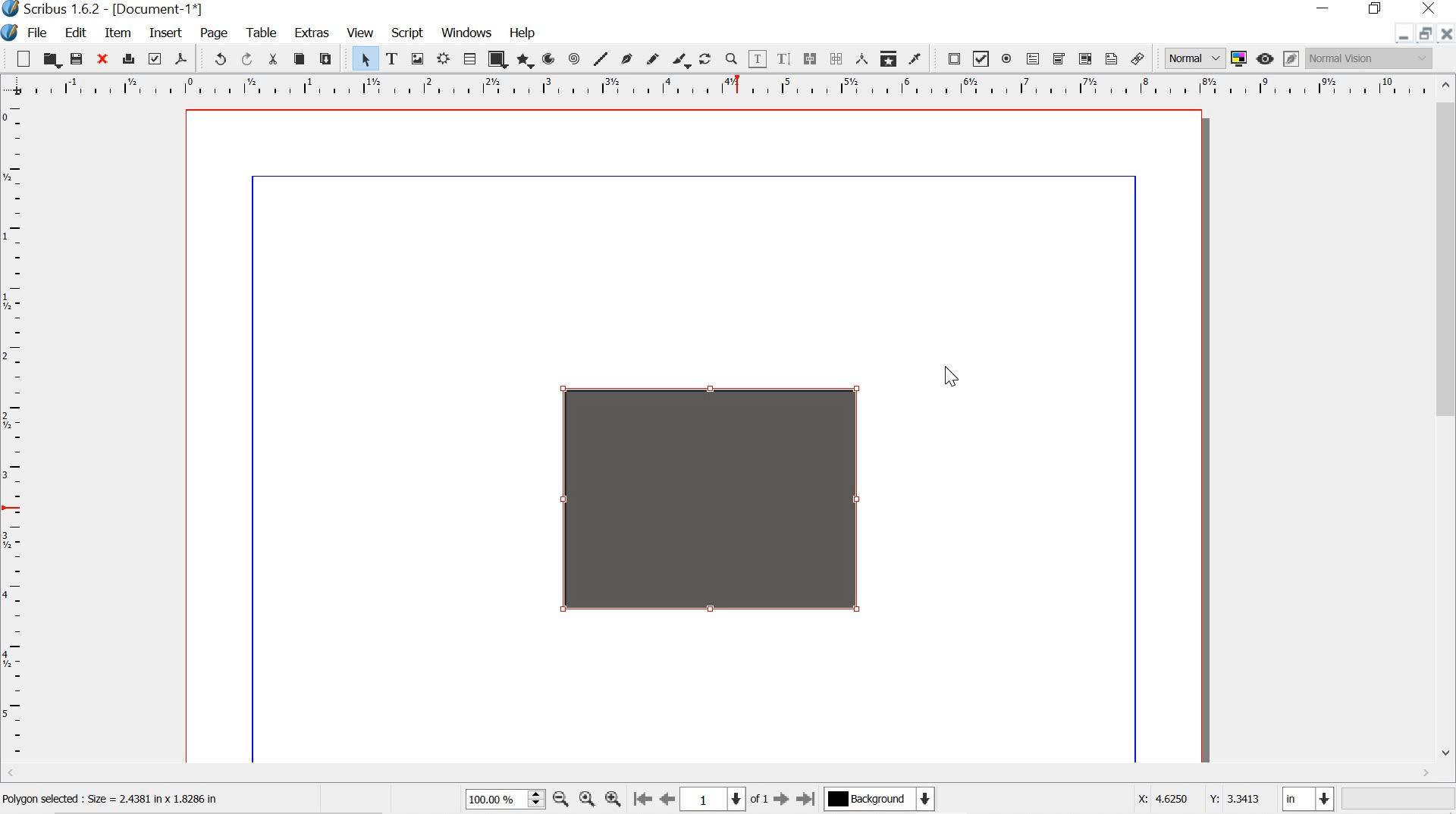 This screenshot has height=814, width=1456. I want to click on table, so click(469, 58).